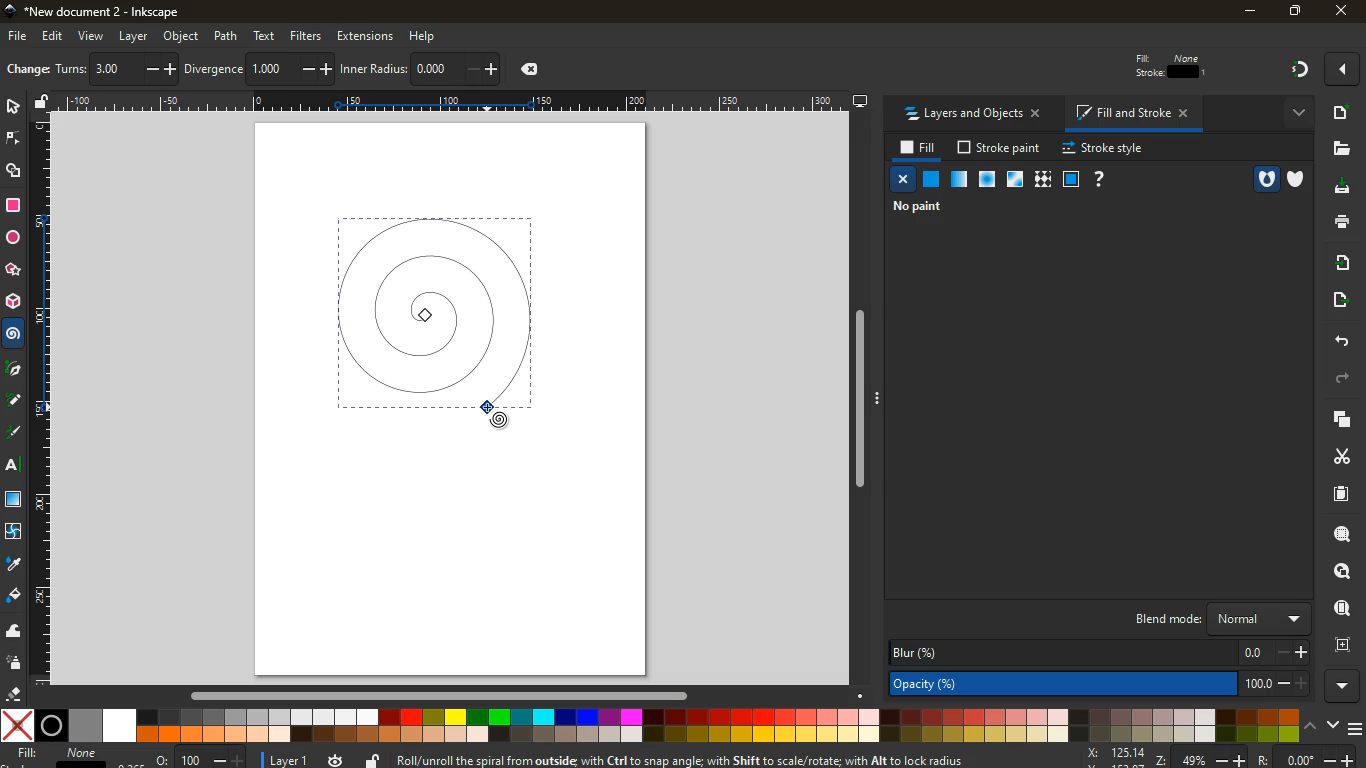  Describe the element at coordinates (1313, 725) in the screenshot. I see `up` at that location.